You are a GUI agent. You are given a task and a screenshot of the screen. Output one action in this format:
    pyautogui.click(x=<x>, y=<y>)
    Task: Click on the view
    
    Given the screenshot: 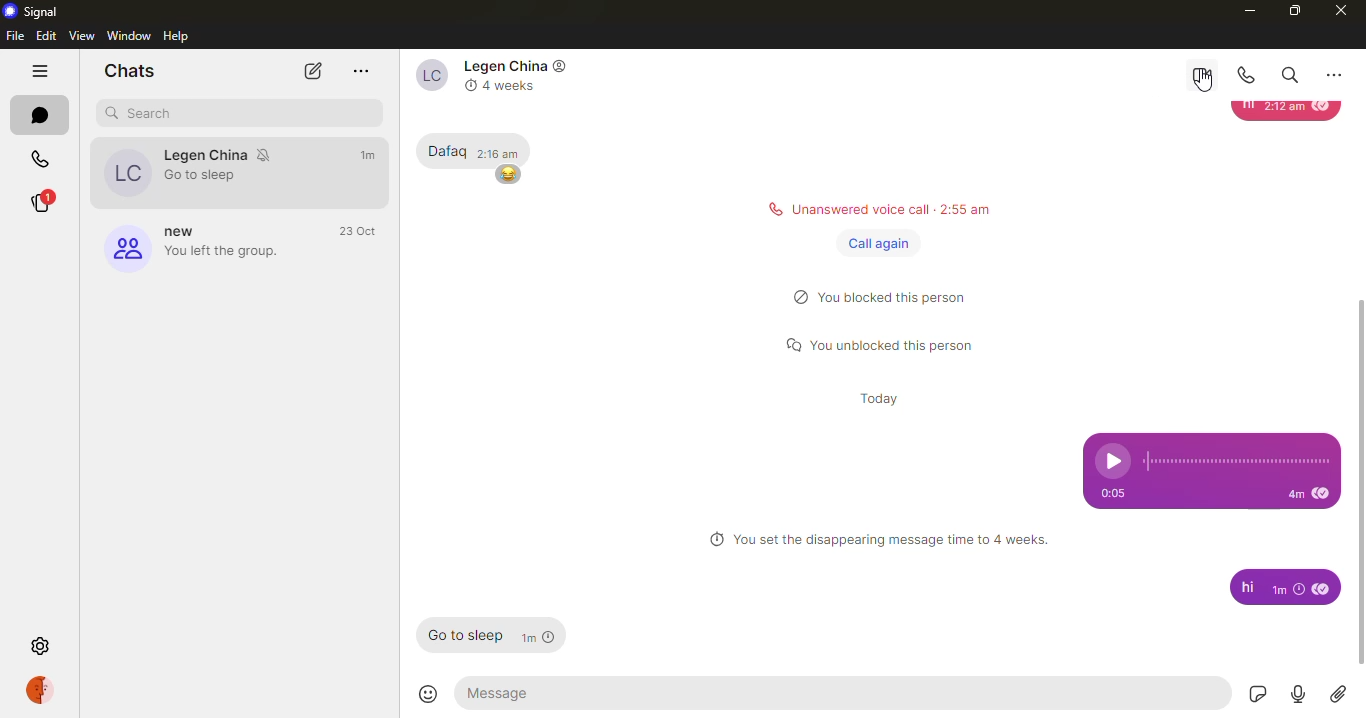 What is the action you would take?
    pyautogui.click(x=80, y=35)
    